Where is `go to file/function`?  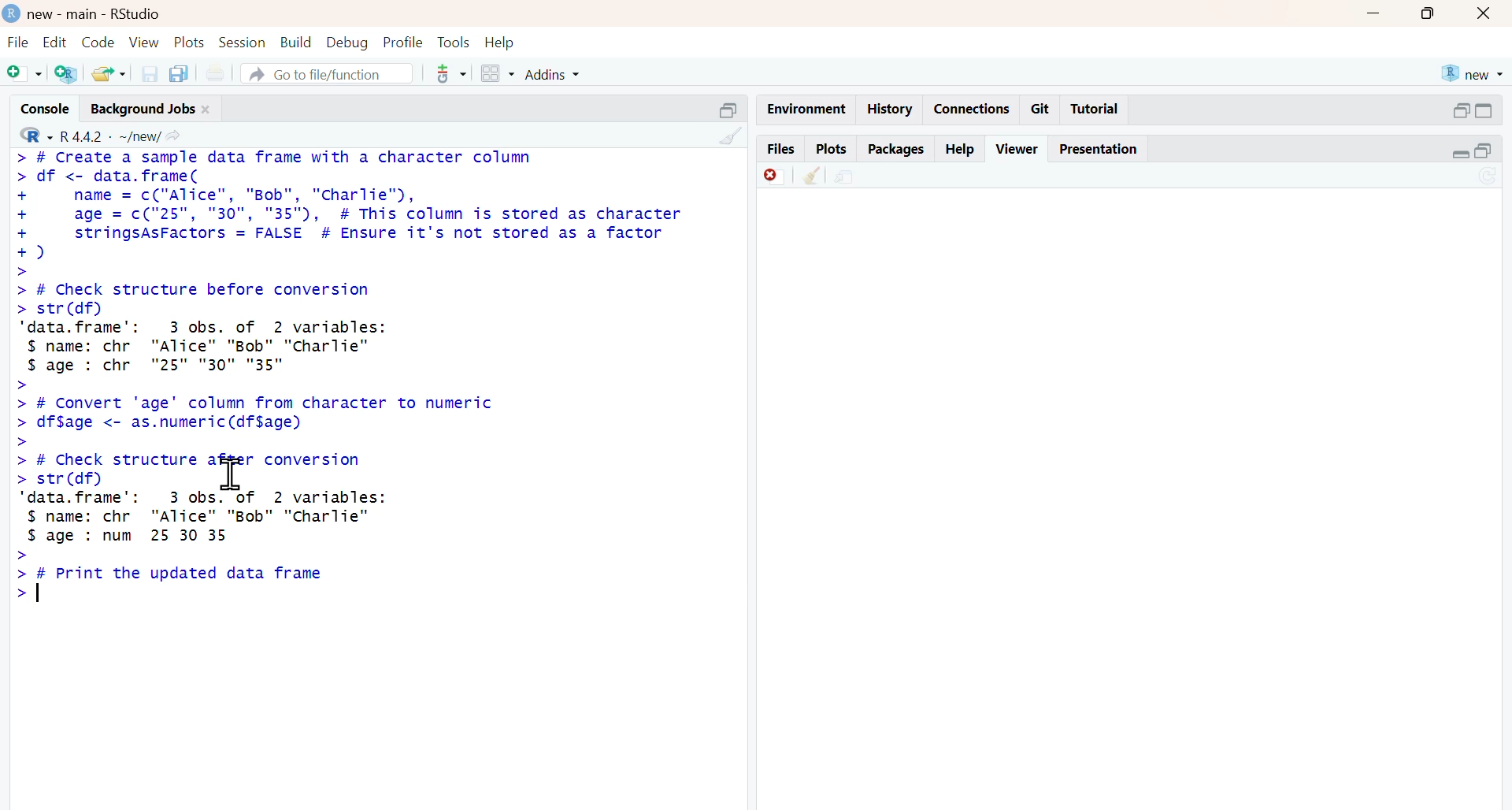 go to file/function is located at coordinates (326, 74).